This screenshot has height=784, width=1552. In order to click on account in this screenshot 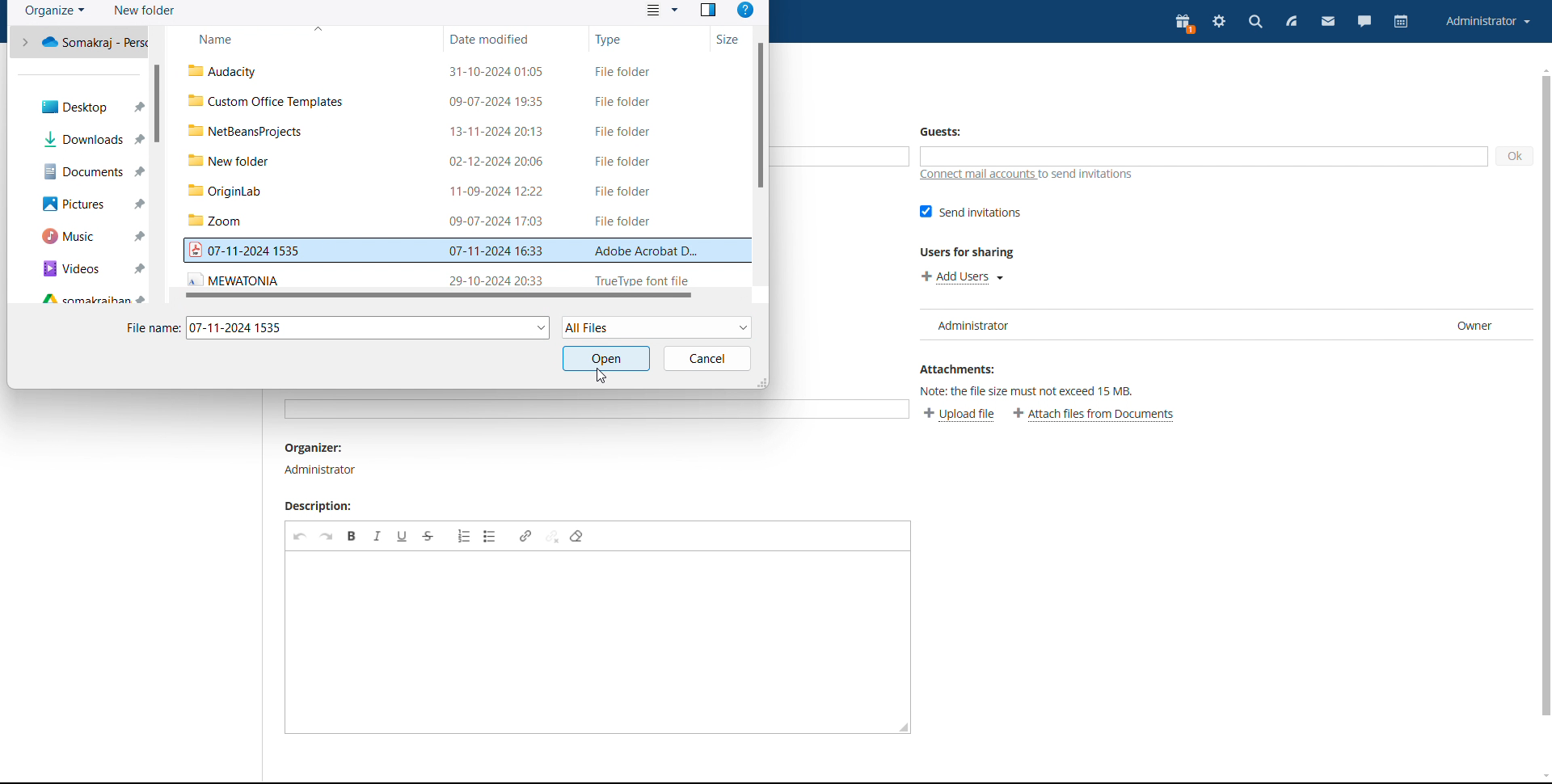, I will do `click(1488, 23)`.